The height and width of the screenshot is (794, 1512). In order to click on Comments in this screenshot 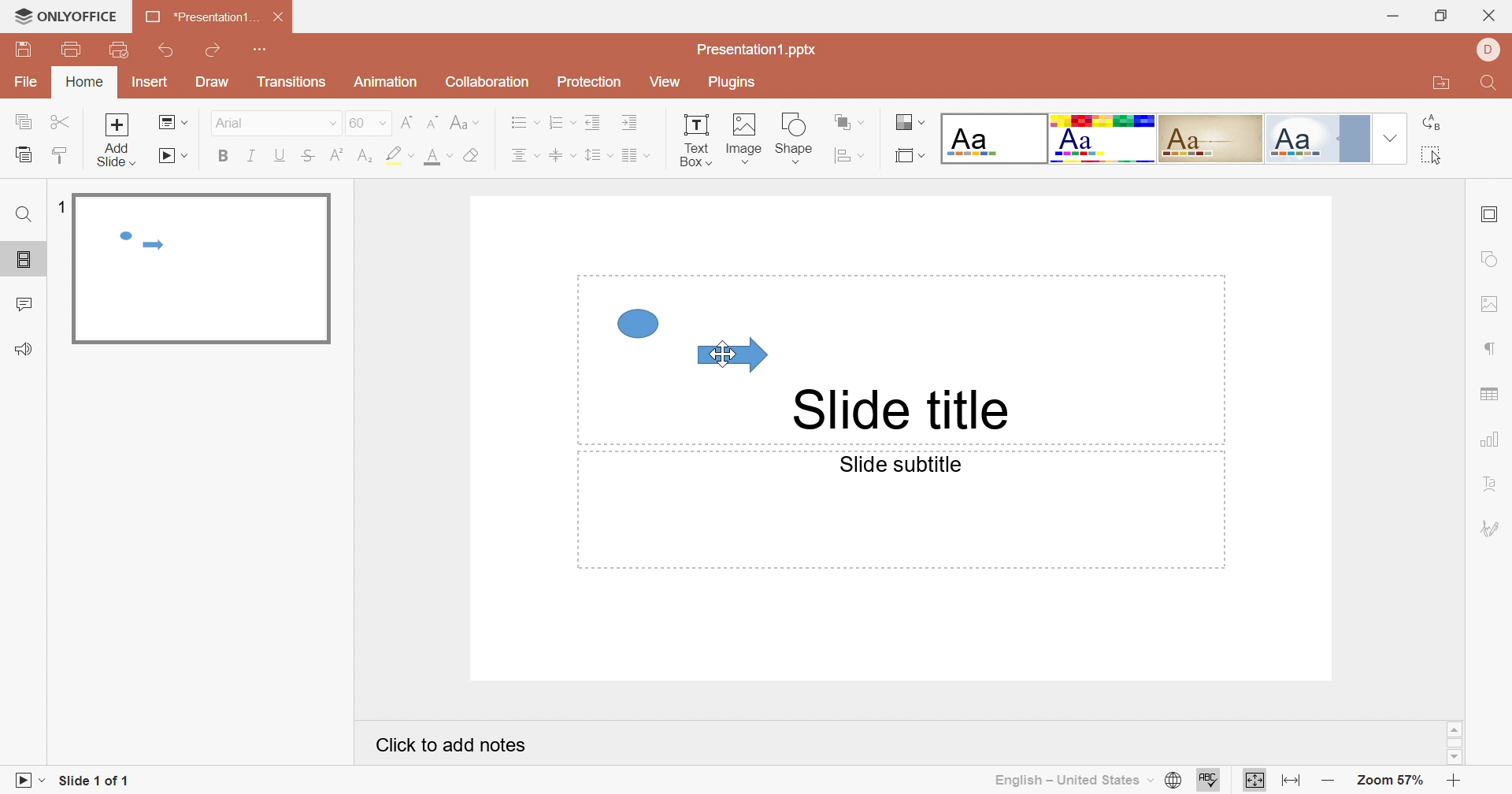, I will do `click(27, 305)`.